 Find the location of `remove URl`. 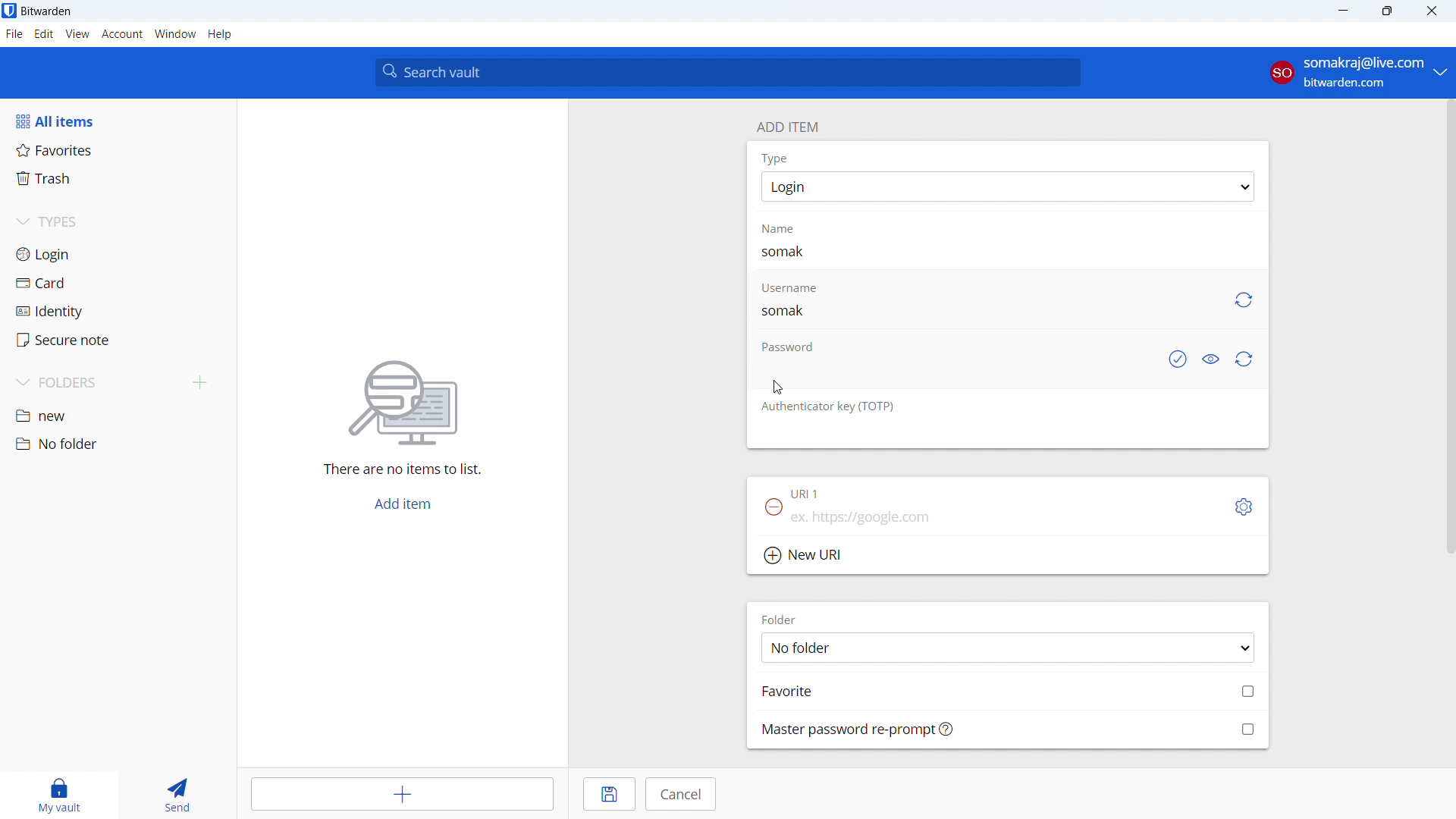

remove URl is located at coordinates (773, 507).